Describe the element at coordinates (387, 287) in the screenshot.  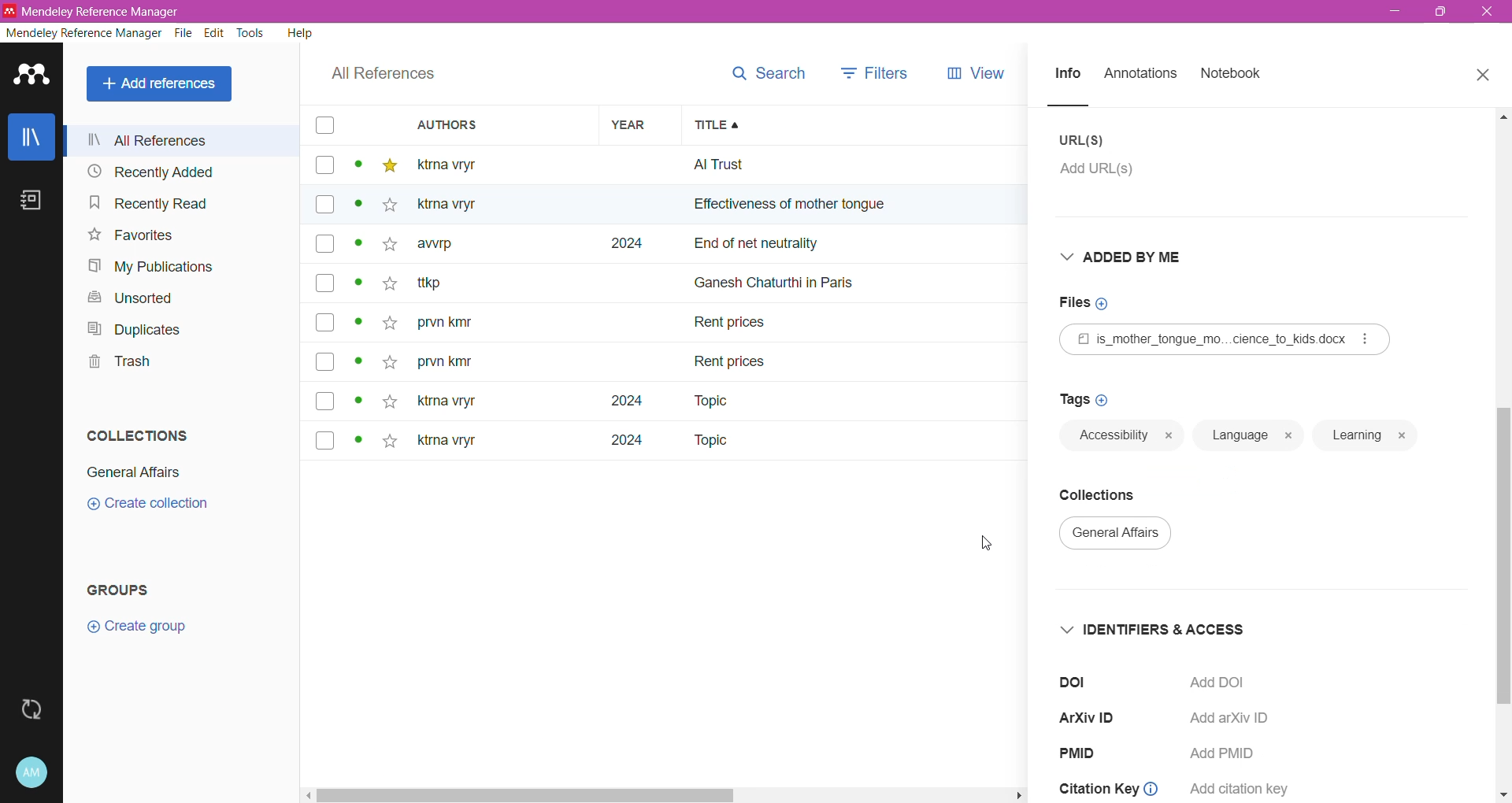
I see `star` at that location.